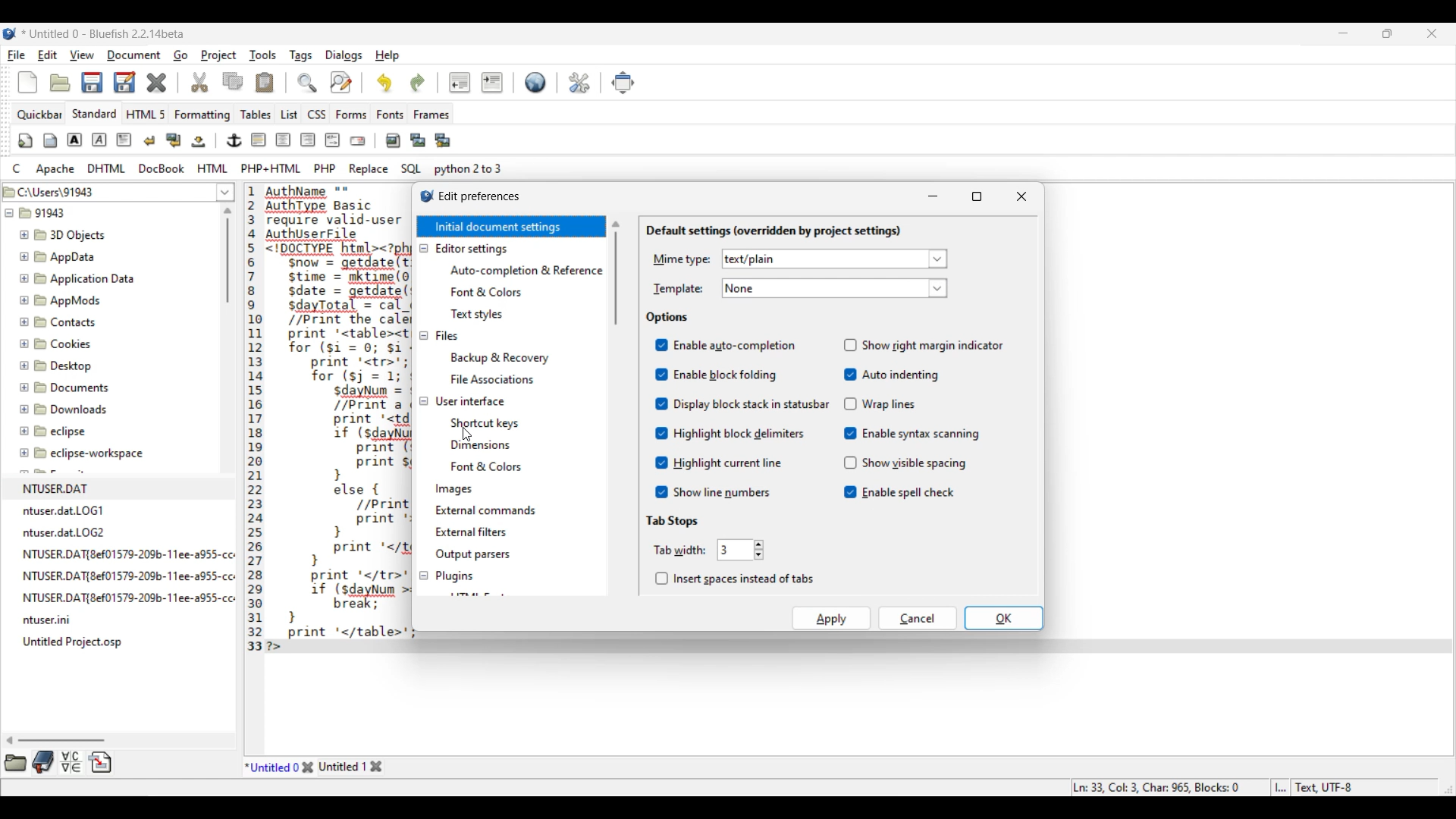 Image resolution: width=1456 pixels, height=819 pixels. Describe the element at coordinates (580, 81) in the screenshot. I see `Edit preferences, highlighted by cursor` at that location.